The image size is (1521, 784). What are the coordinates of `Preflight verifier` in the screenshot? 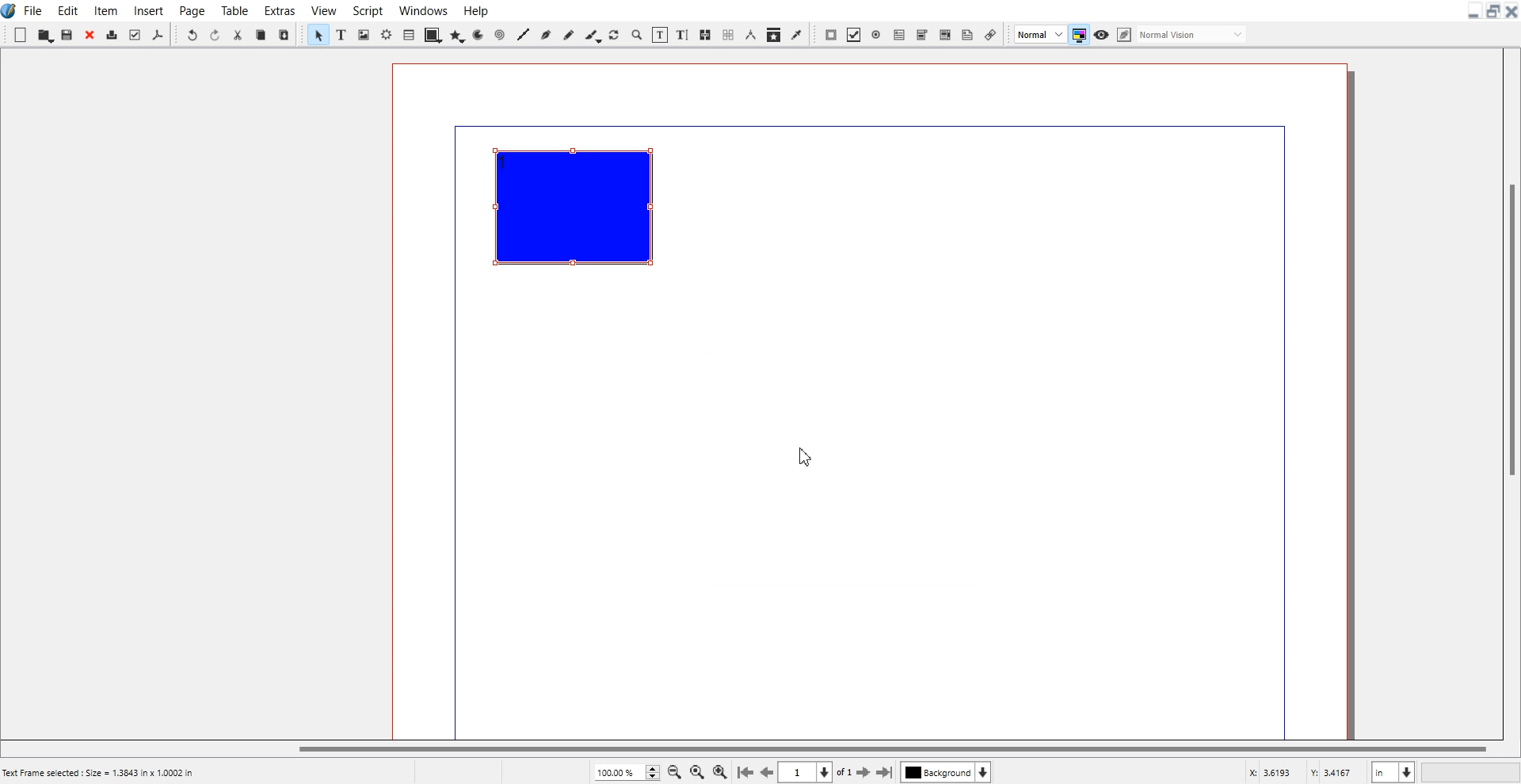 It's located at (135, 33).